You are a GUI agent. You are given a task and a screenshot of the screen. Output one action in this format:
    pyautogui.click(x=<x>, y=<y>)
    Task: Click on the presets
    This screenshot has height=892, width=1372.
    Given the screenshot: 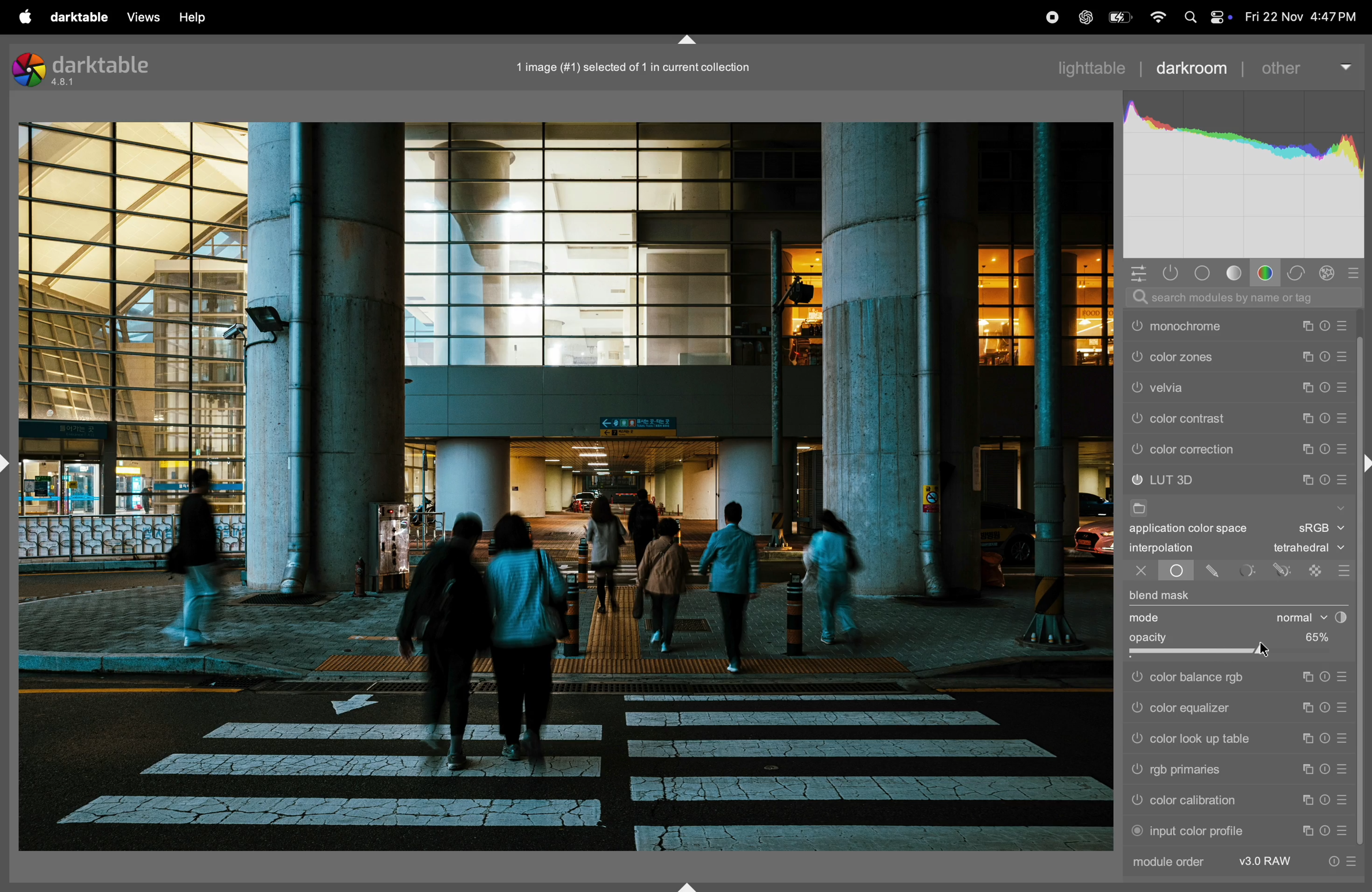 What is the action you would take?
    pyautogui.click(x=1345, y=448)
    